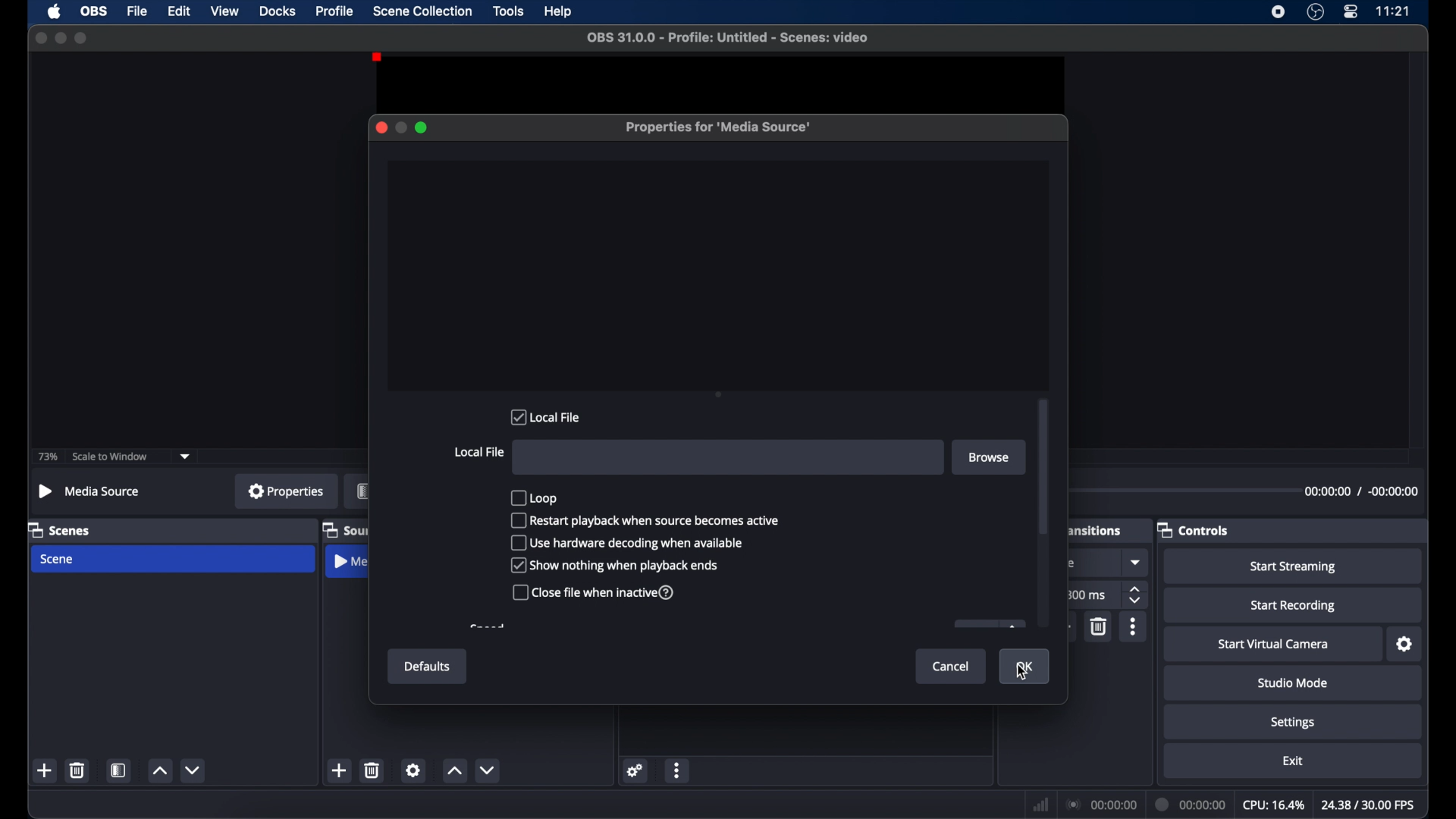 The image size is (1456, 819). I want to click on network, so click(1041, 803).